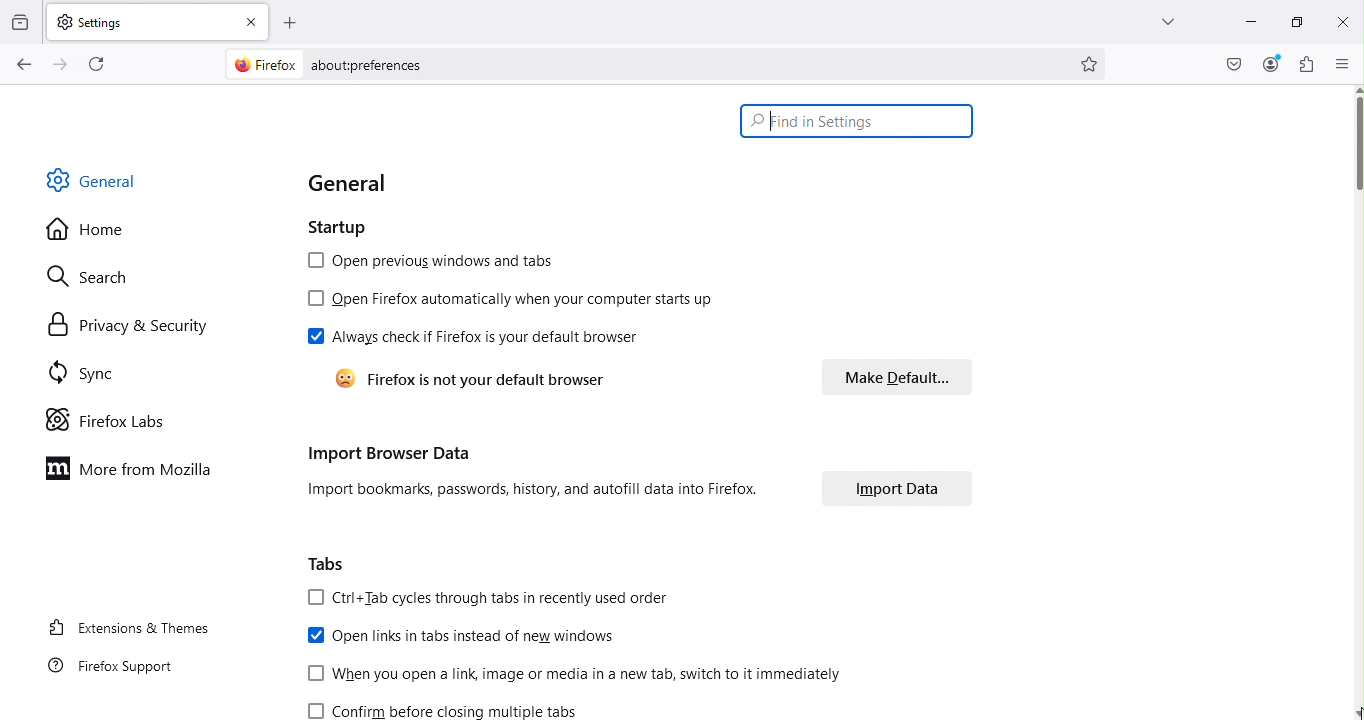 The image size is (1364, 720). What do you see at coordinates (108, 421) in the screenshot?
I see `Firefox labs` at bounding box center [108, 421].